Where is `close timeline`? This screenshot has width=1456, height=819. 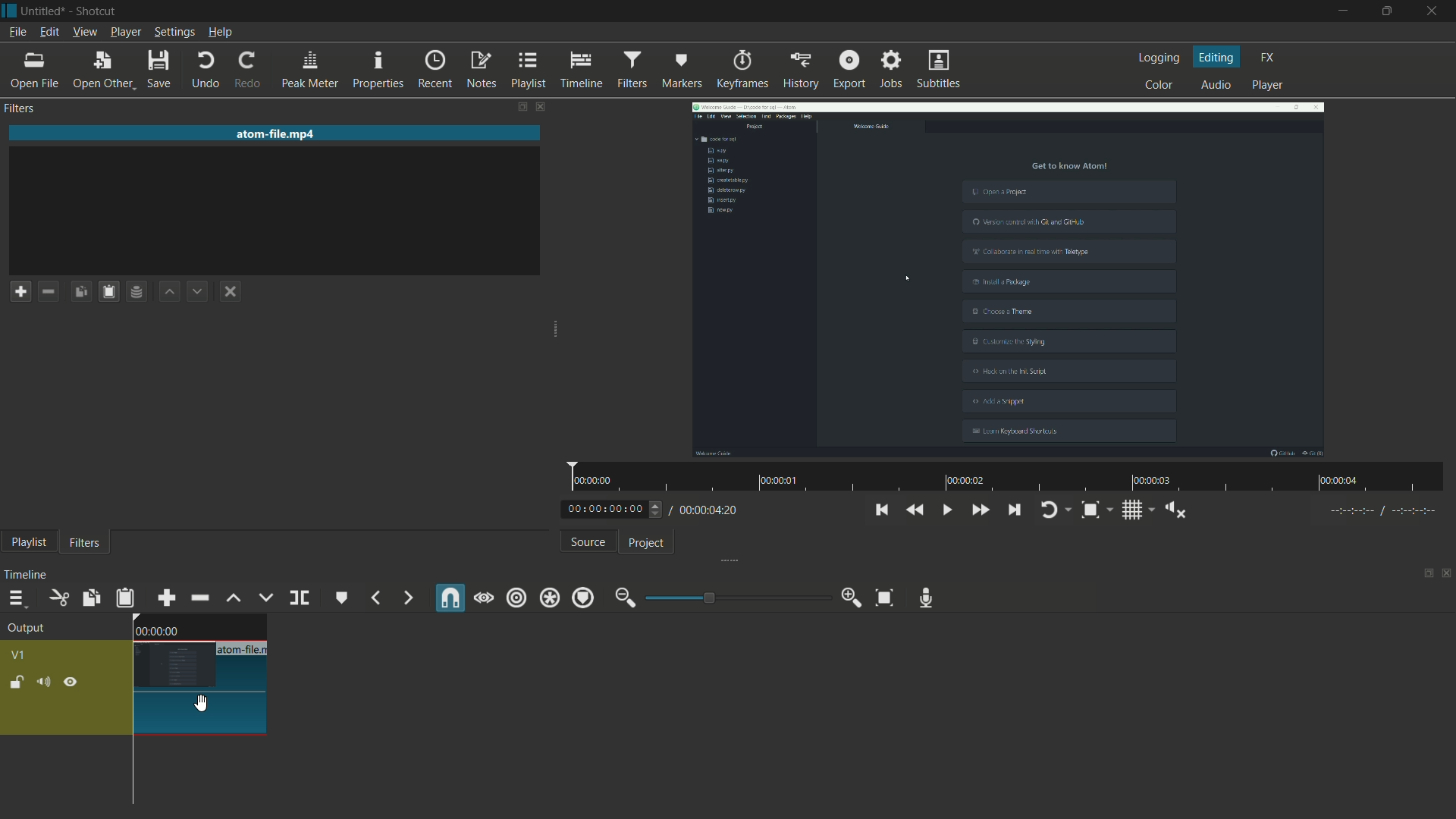
close timeline is located at coordinates (1447, 576).